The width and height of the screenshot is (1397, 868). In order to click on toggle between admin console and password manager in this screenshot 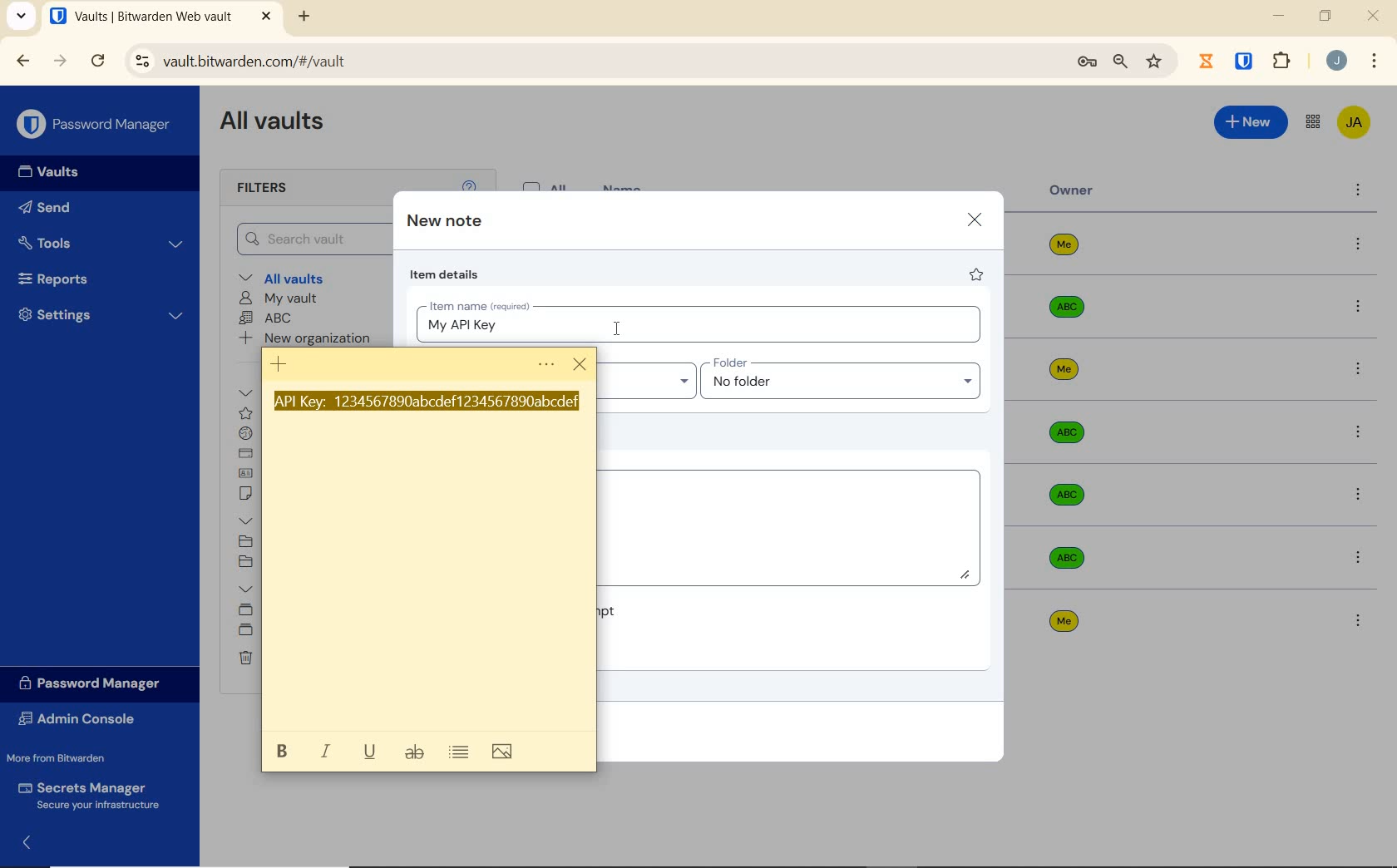, I will do `click(1311, 122)`.